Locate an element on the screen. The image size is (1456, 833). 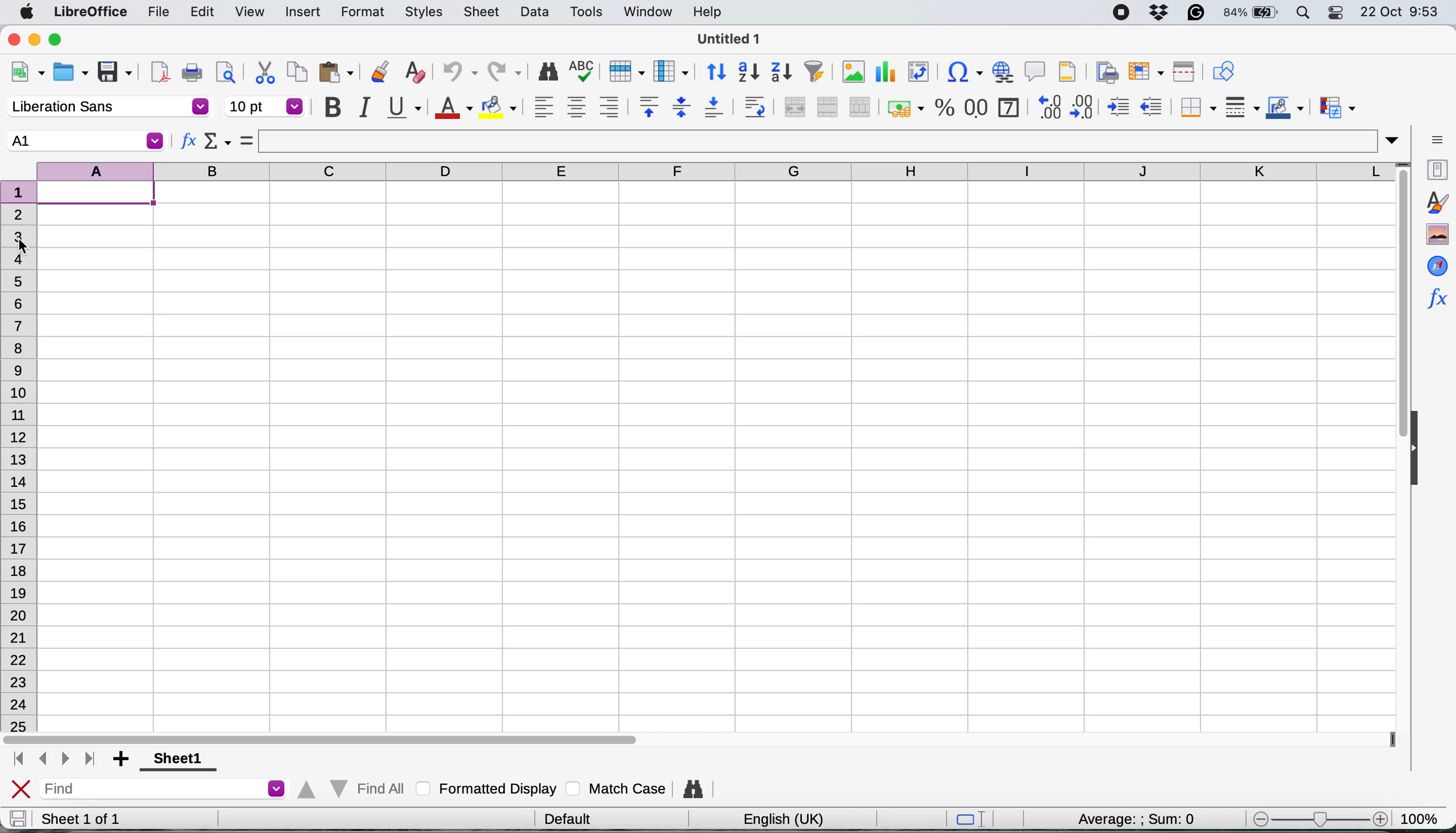
underline is located at coordinates (403, 106).